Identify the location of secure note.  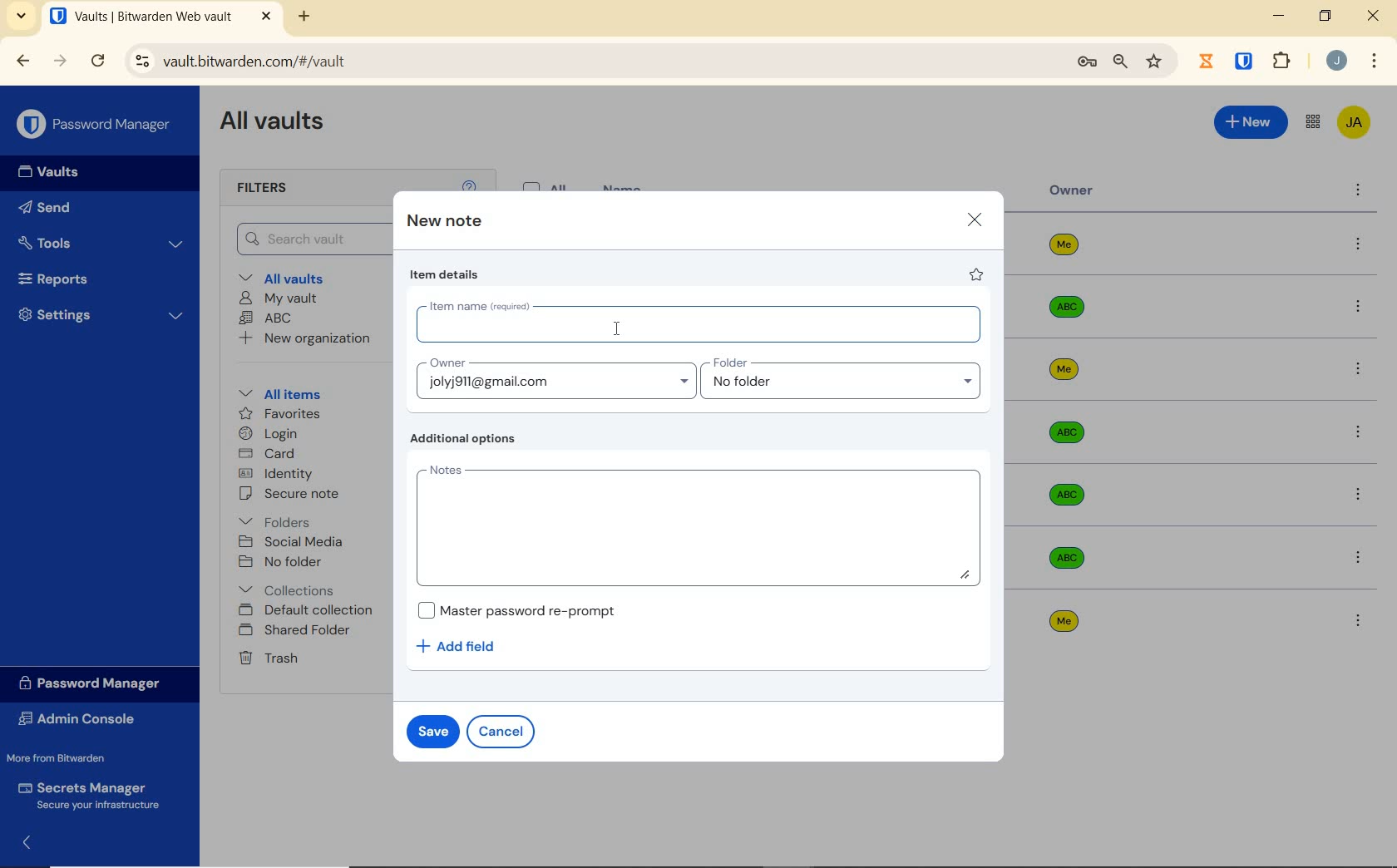
(304, 496).